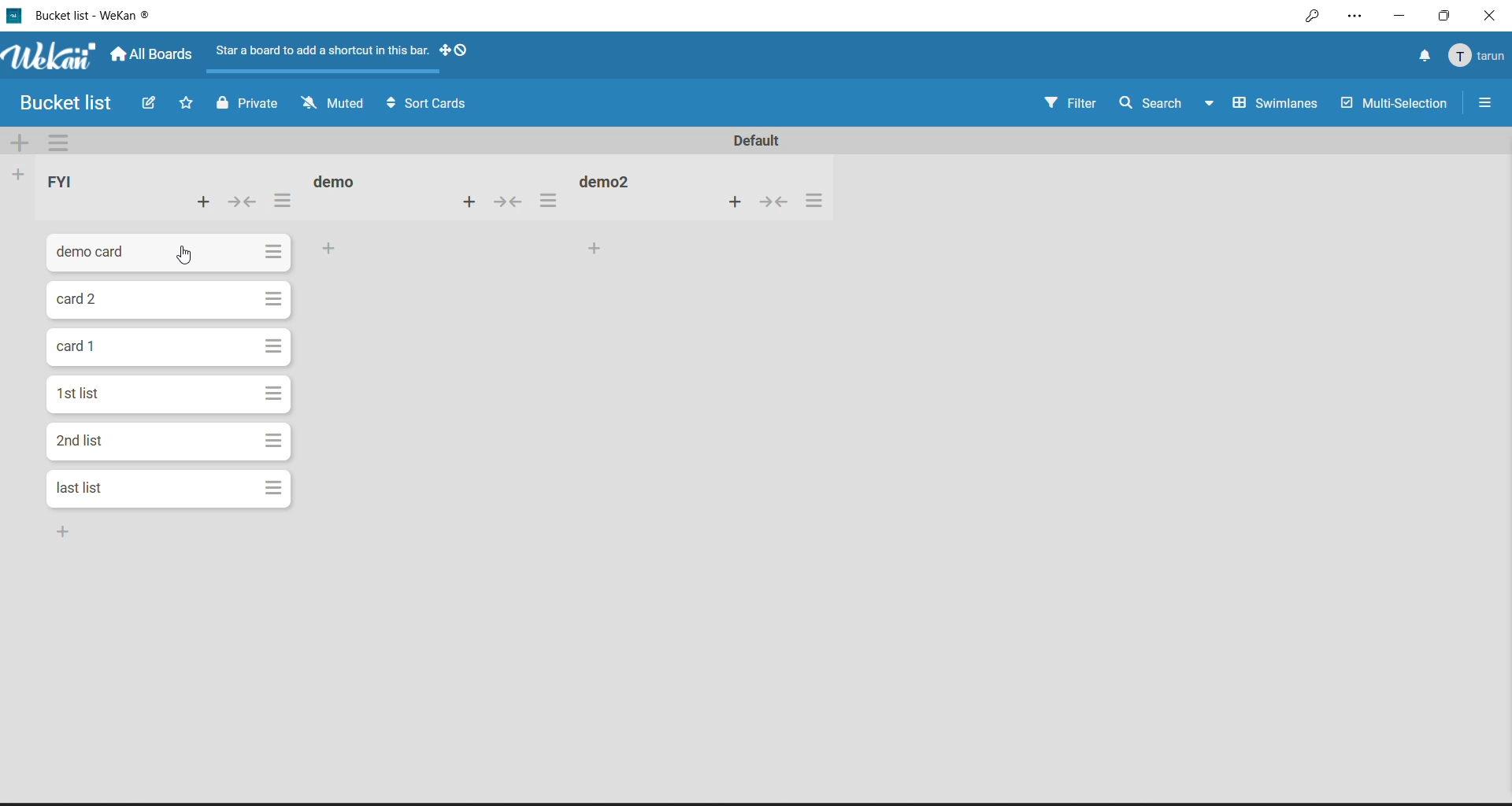  What do you see at coordinates (84, 394) in the screenshot?
I see `card title` at bounding box center [84, 394].